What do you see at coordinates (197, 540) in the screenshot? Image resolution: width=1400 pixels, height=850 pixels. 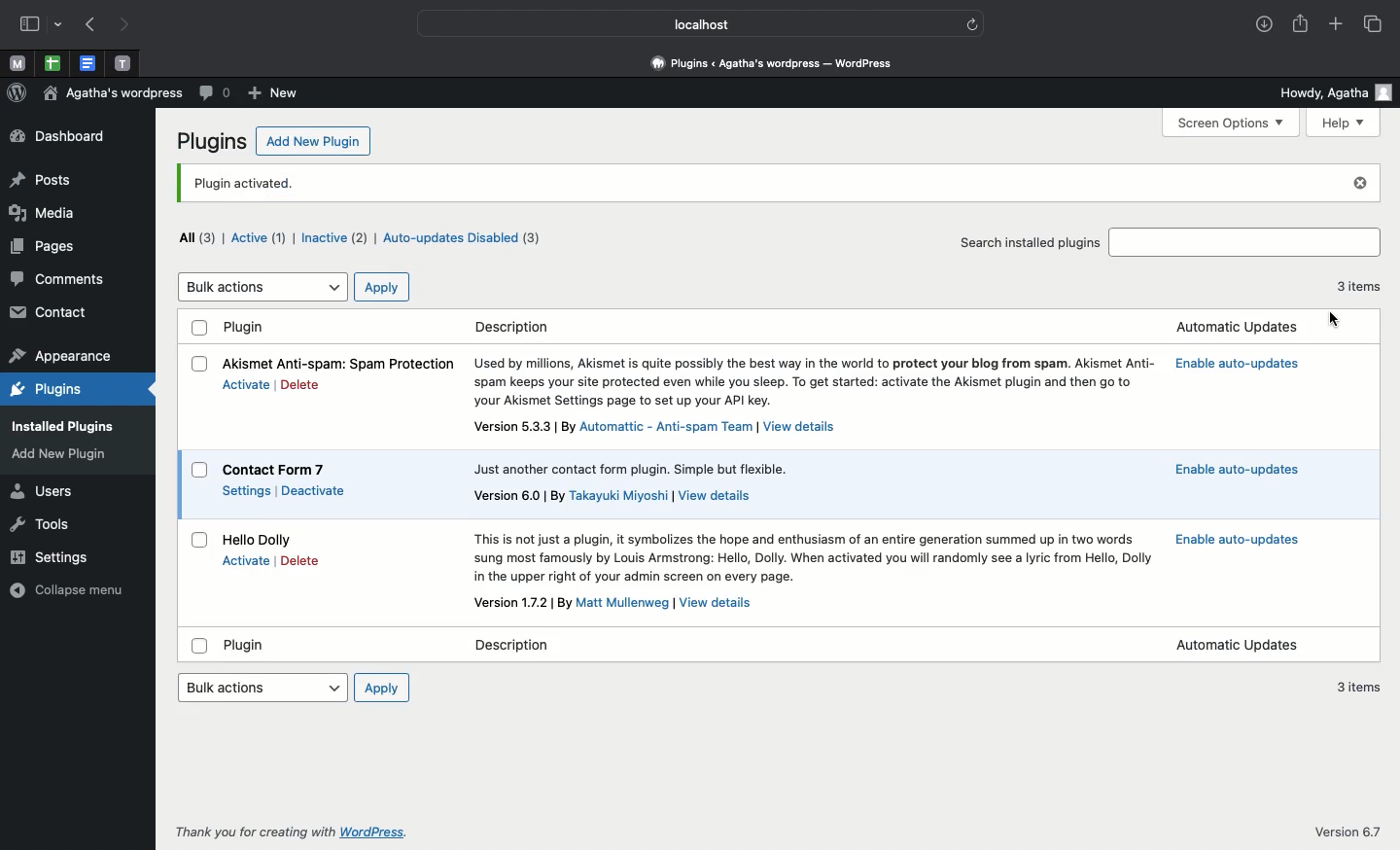 I see `Checkbox` at bounding box center [197, 540].